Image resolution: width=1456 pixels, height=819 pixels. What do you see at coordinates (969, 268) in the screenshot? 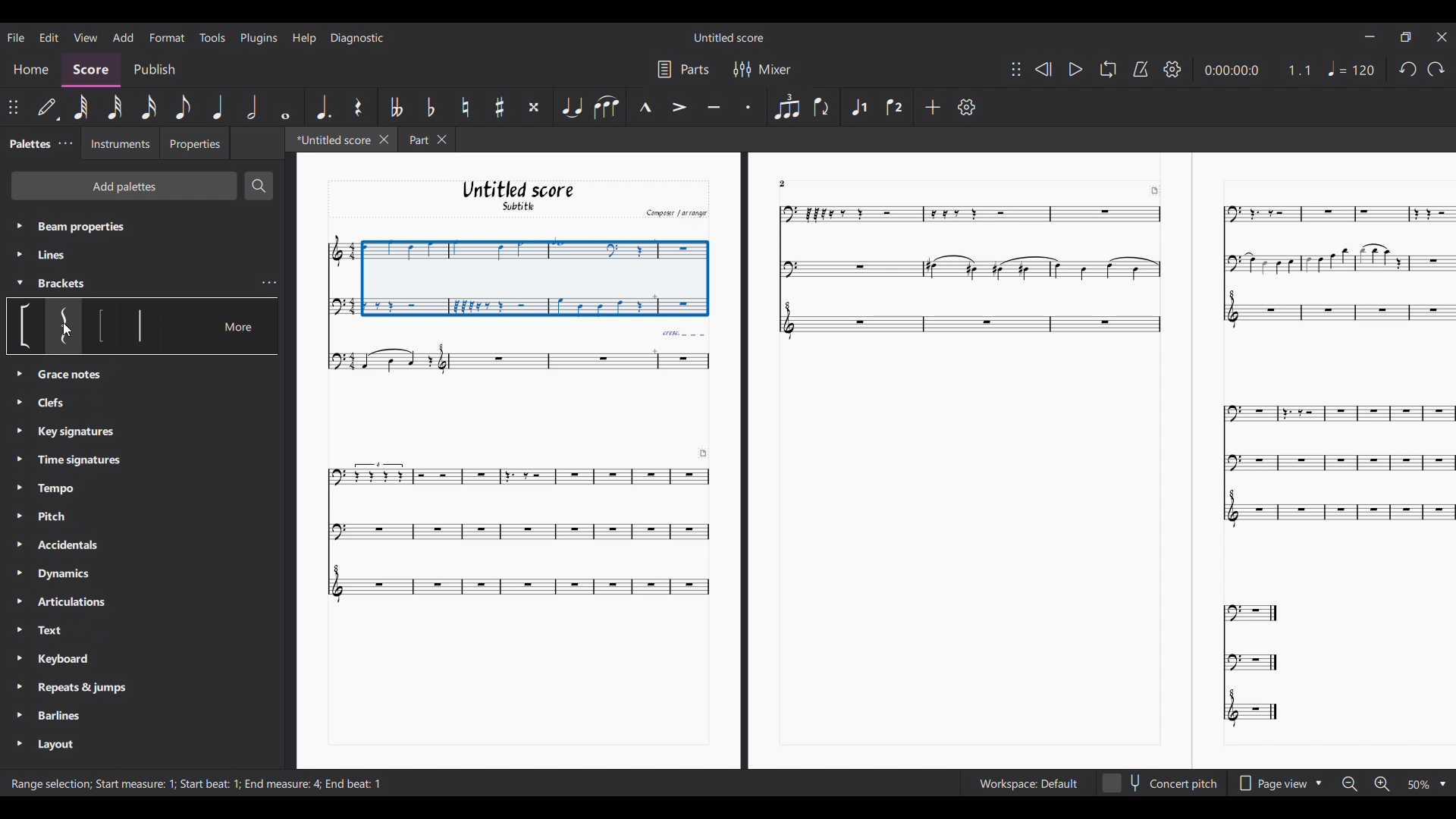
I see `` at bounding box center [969, 268].